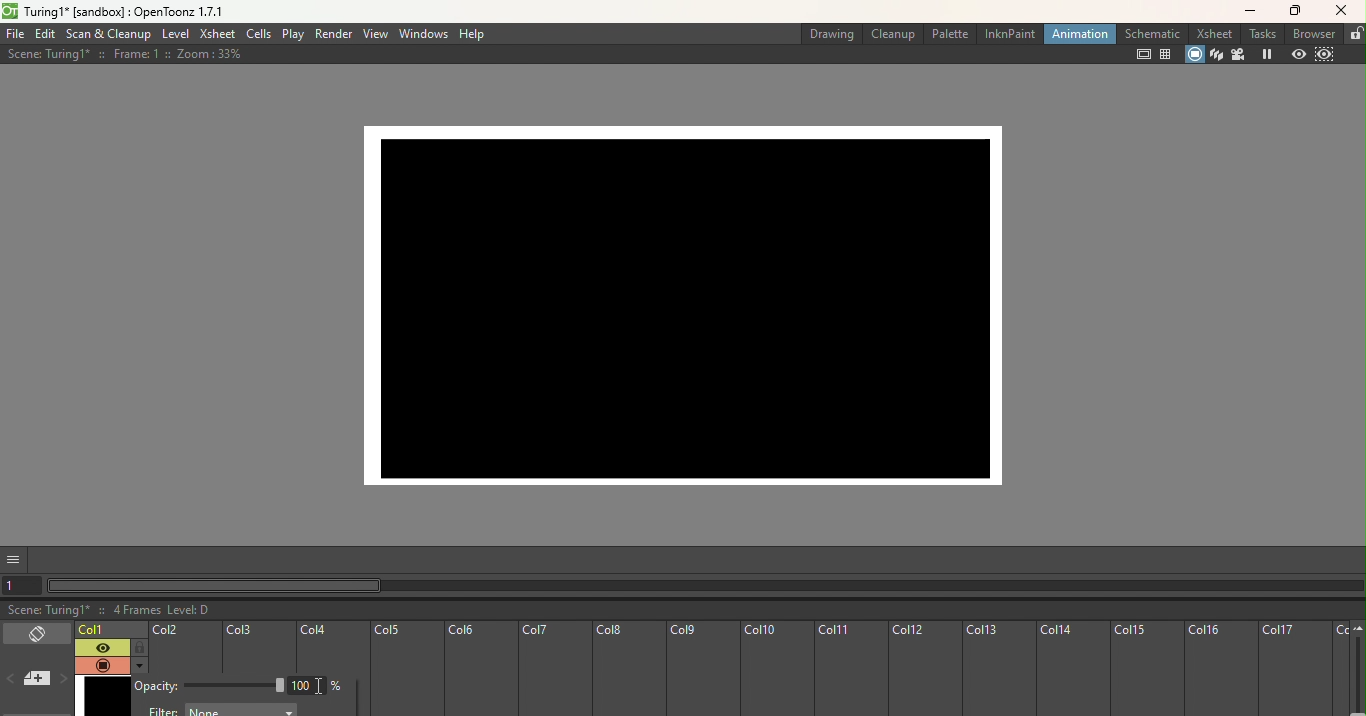  What do you see at coordinates (111, 630) in the screenshot?
I see `Click to select the current frame` at bounding box center [111, 630].